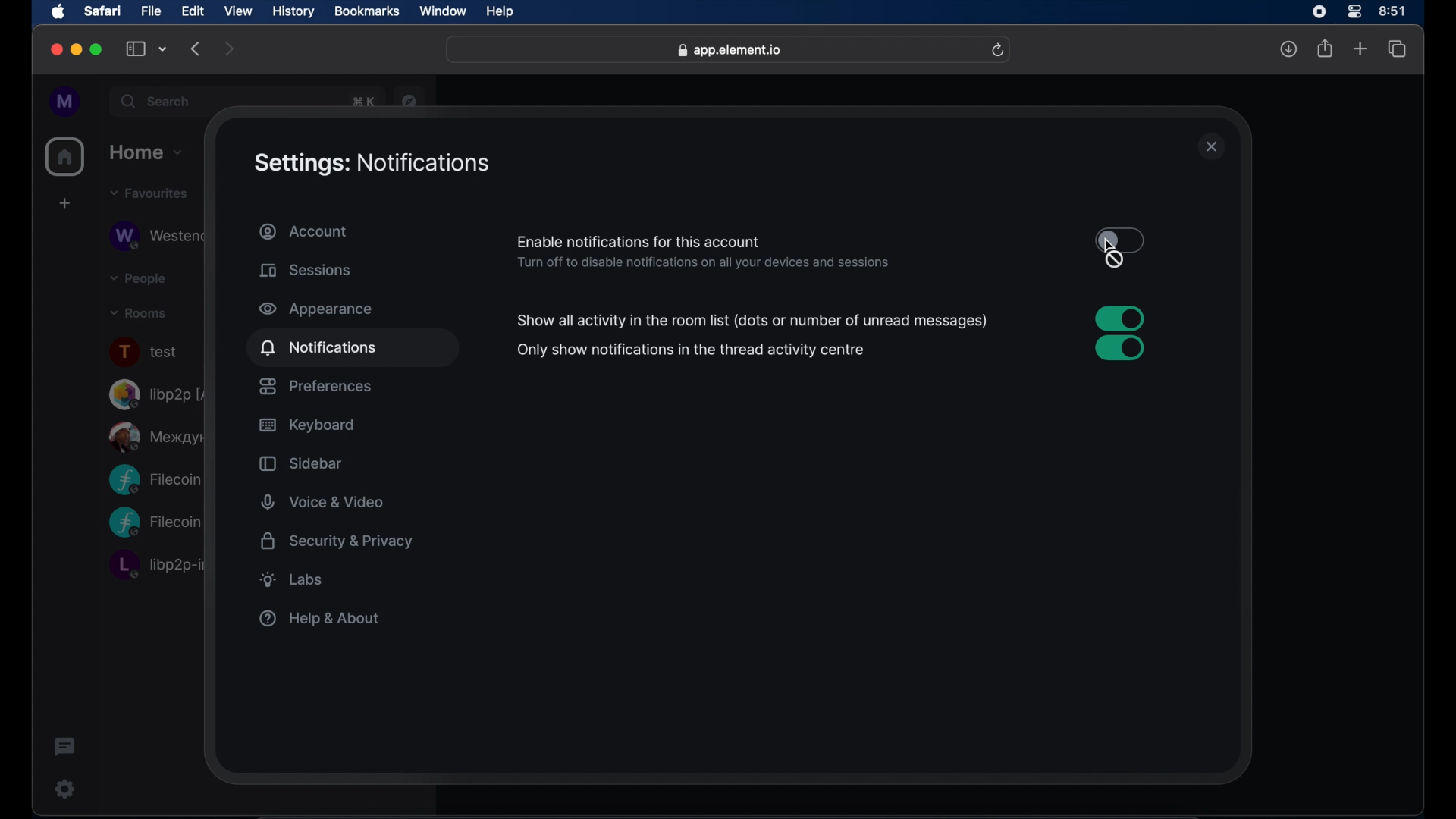 The image size is (1456, 819). I want to click on toggle button, so click(1120, 353).